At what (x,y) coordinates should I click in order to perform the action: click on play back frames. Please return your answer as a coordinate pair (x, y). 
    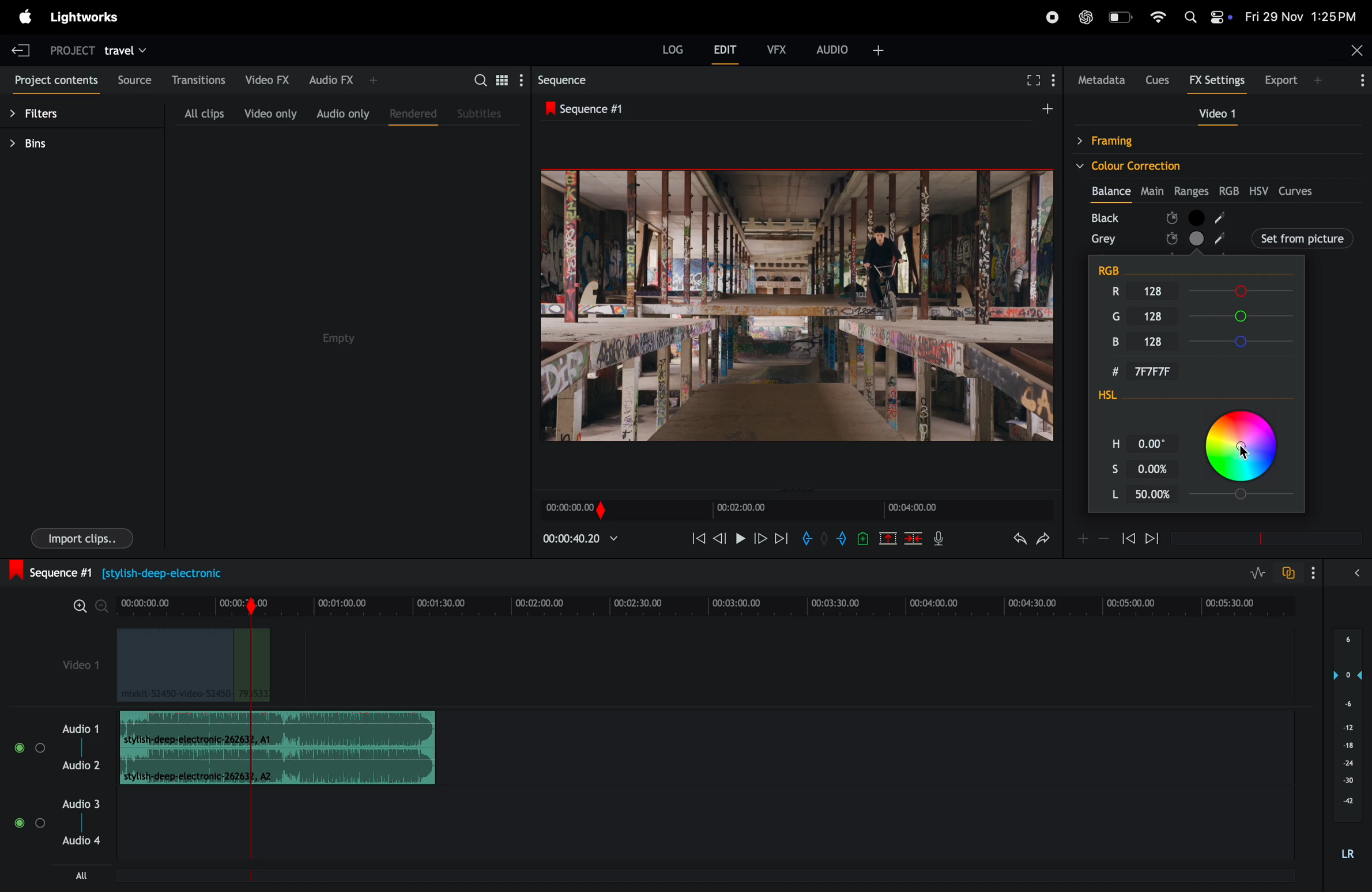
    Looking at the image, I should click on (789, 305).